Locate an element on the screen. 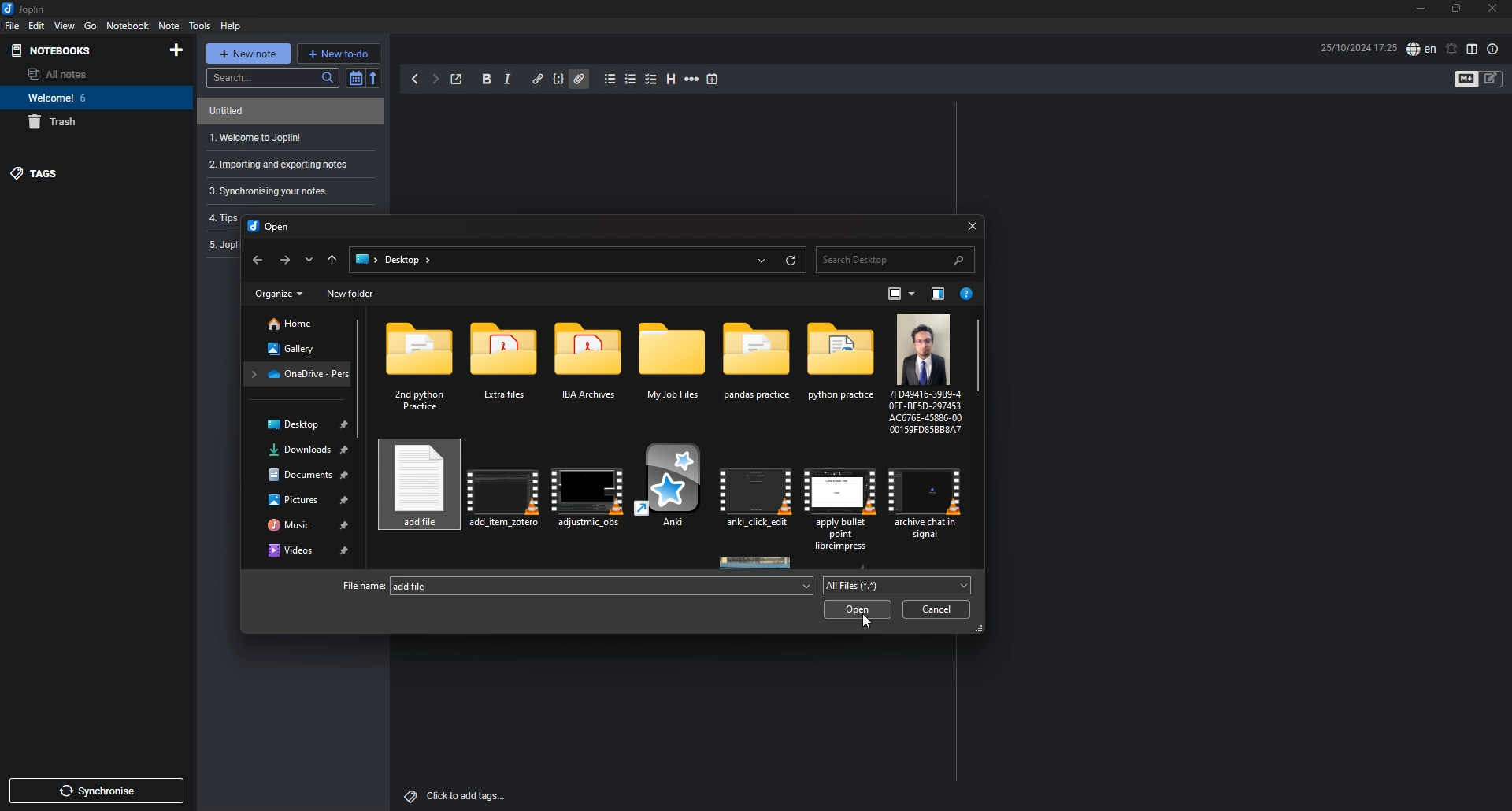 Image resolution: width=1512 pixels, height=811 pixels. get help is located at coordinates (968, 295).